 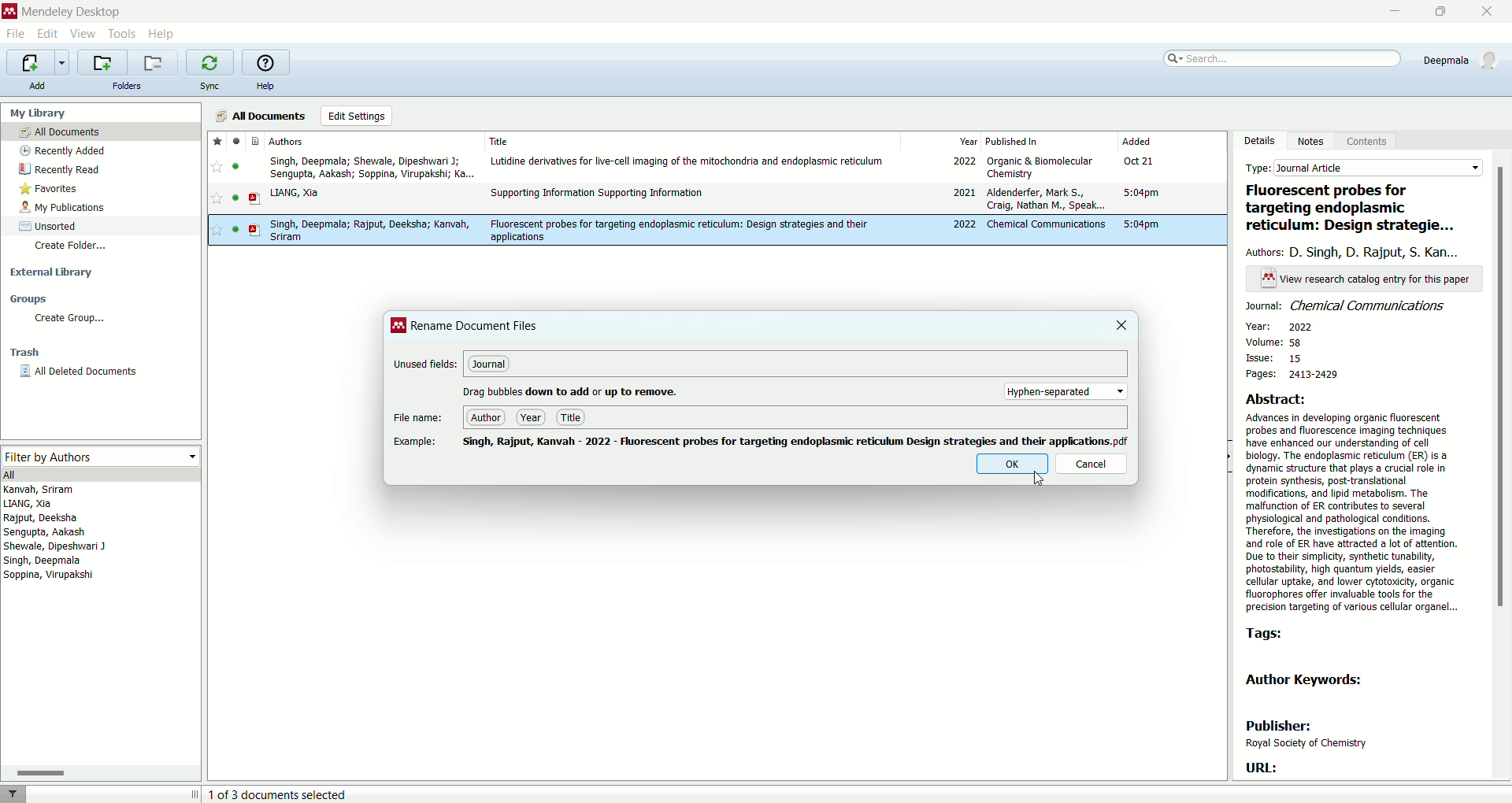 I want to click on author, so click(x=487, y=419).